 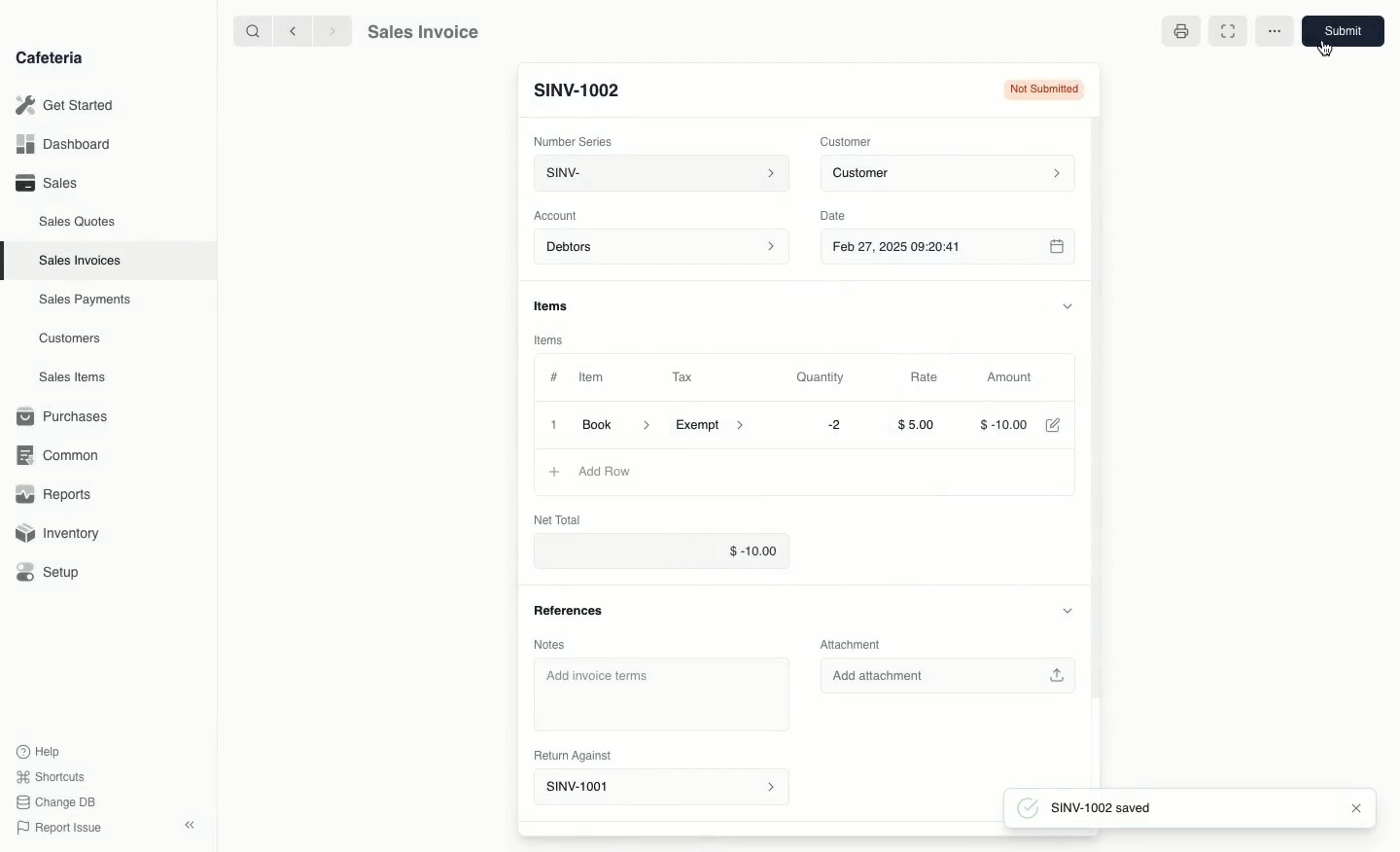 I want to click on 1, so click(x=550, y=424).